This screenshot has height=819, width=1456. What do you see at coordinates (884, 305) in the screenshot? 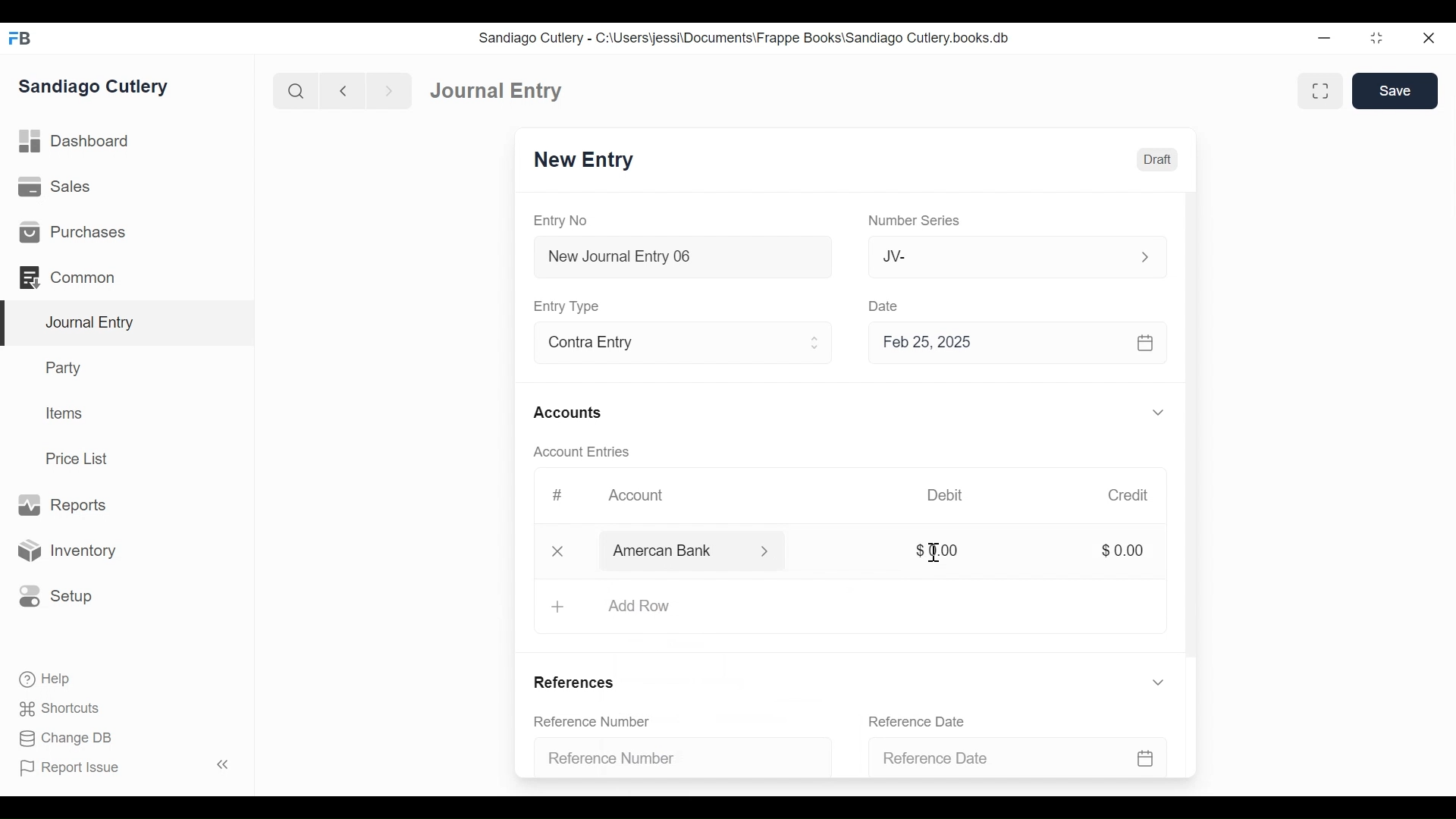
I see `Date` at bounding box center [884, 305].